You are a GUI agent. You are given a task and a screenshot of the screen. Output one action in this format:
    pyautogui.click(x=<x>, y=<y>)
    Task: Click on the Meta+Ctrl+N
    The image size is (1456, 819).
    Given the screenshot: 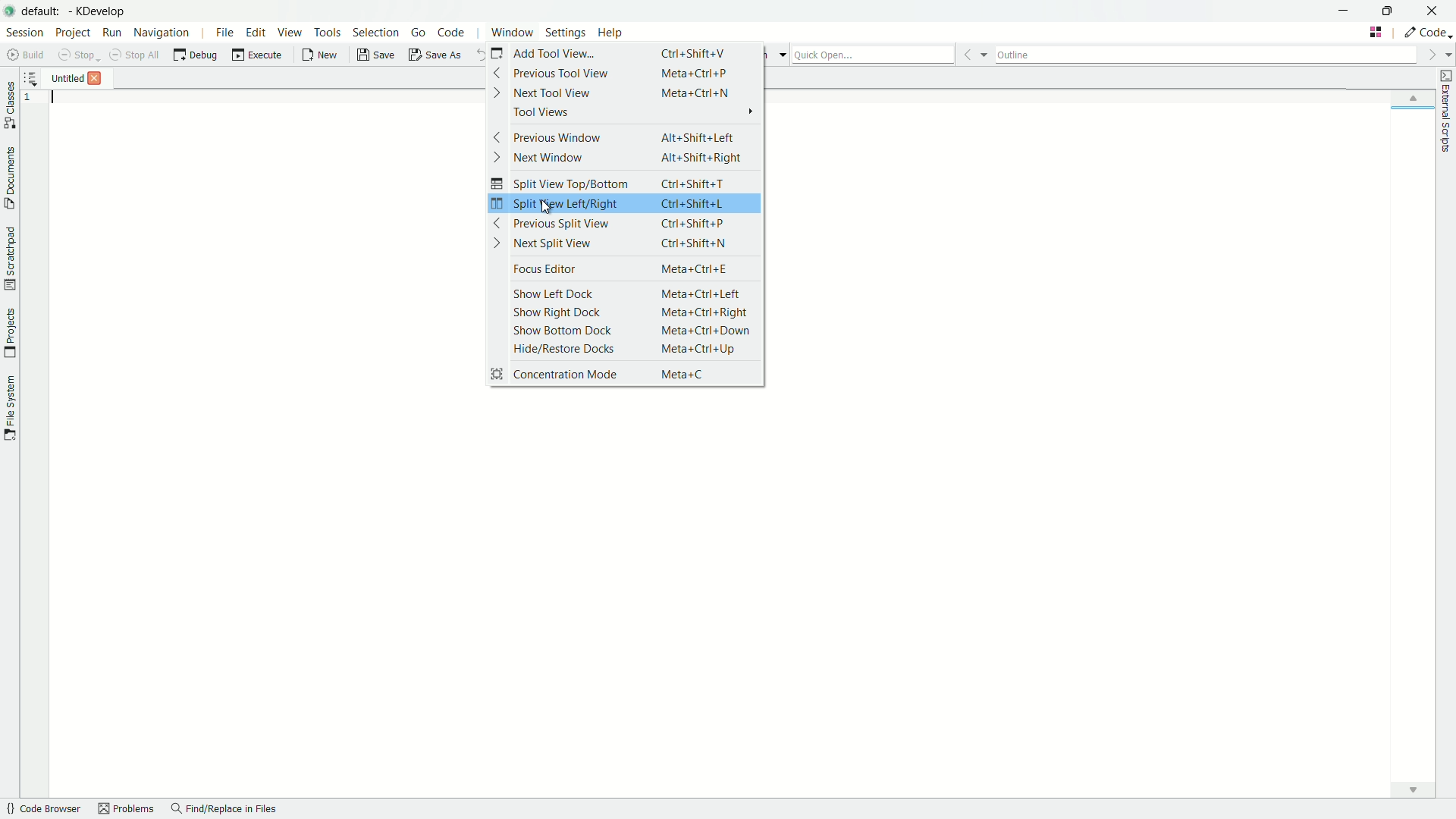 What is the action you would take?
    pyautogui.click(x=701, y=92)
    